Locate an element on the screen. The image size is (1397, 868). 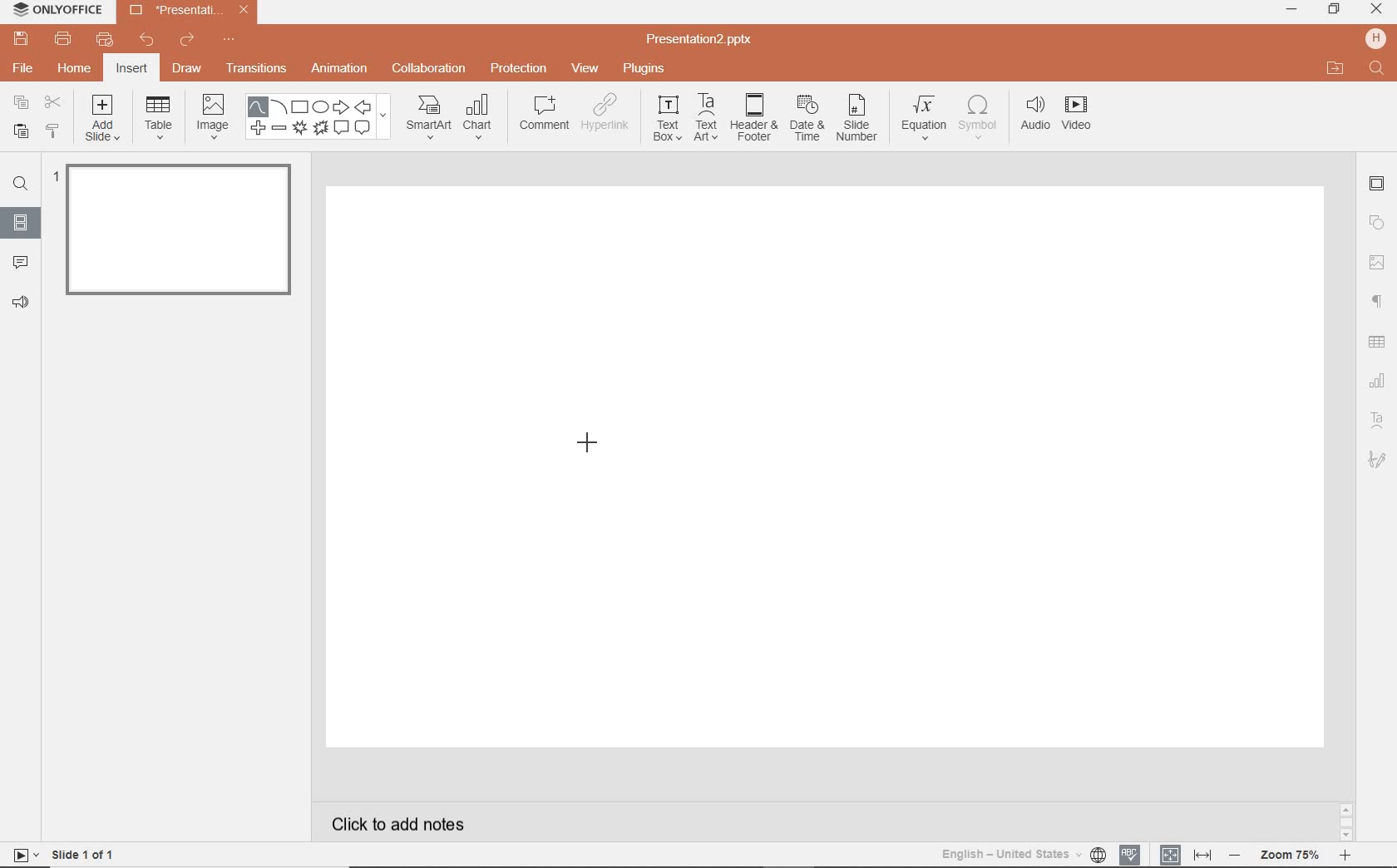
OPEN FILE LOCATION is located at coordinates (1335, 69).